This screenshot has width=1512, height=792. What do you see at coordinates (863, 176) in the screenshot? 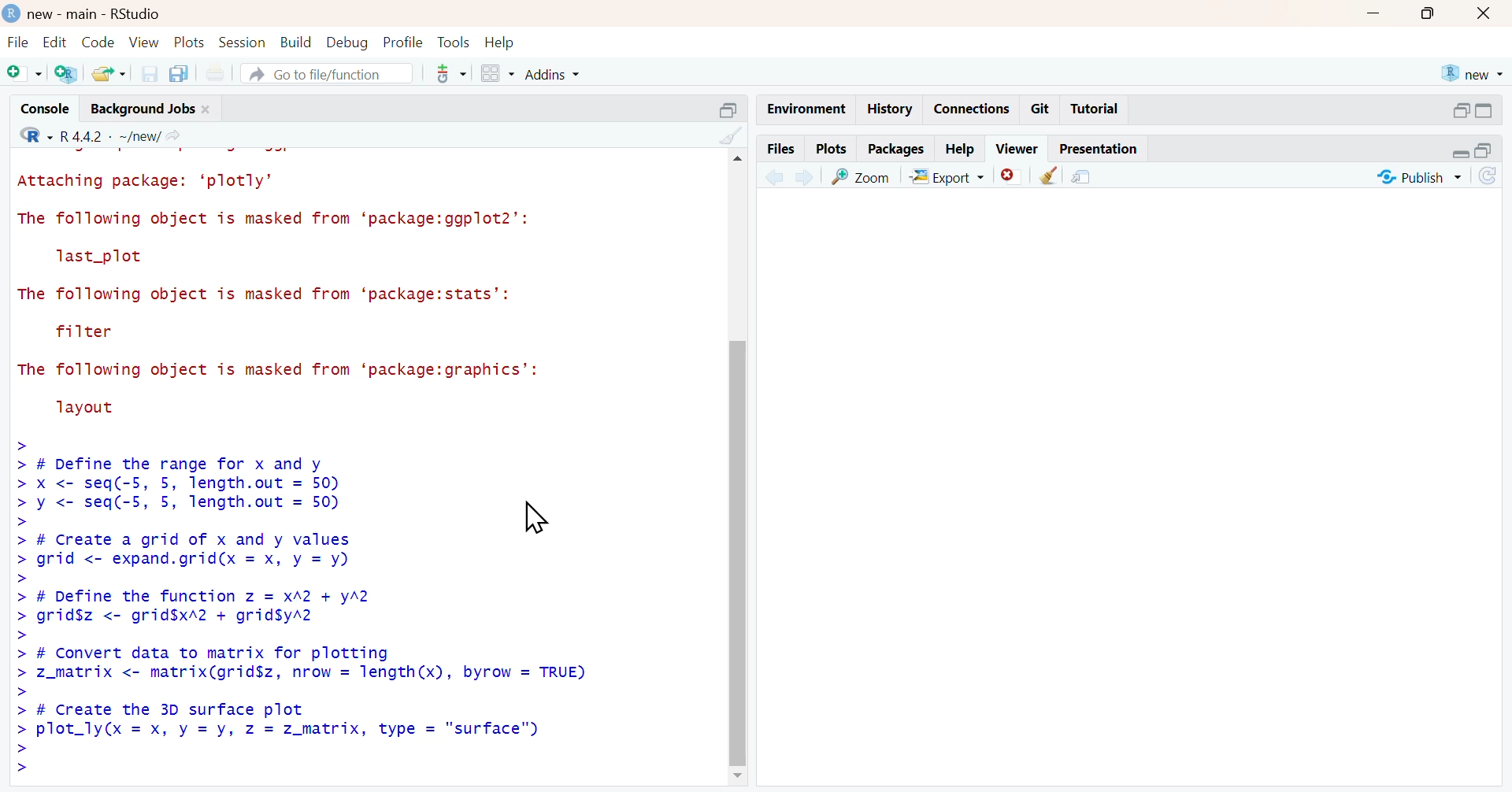
I see `view a larger version of  the plot in new window` at bounding box center [863, 176].